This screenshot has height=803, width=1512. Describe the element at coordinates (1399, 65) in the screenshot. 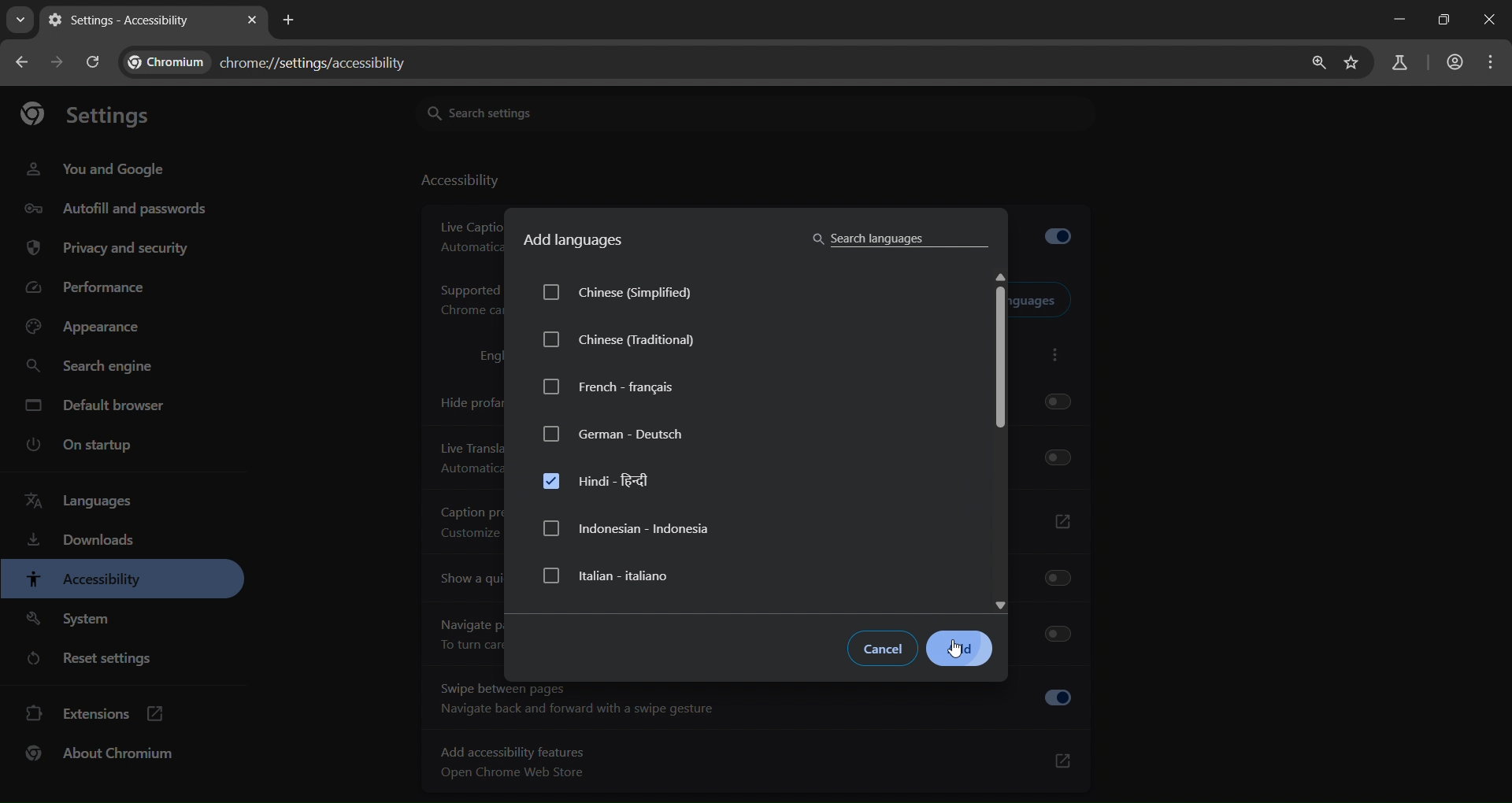

I see `search labs` at that location.